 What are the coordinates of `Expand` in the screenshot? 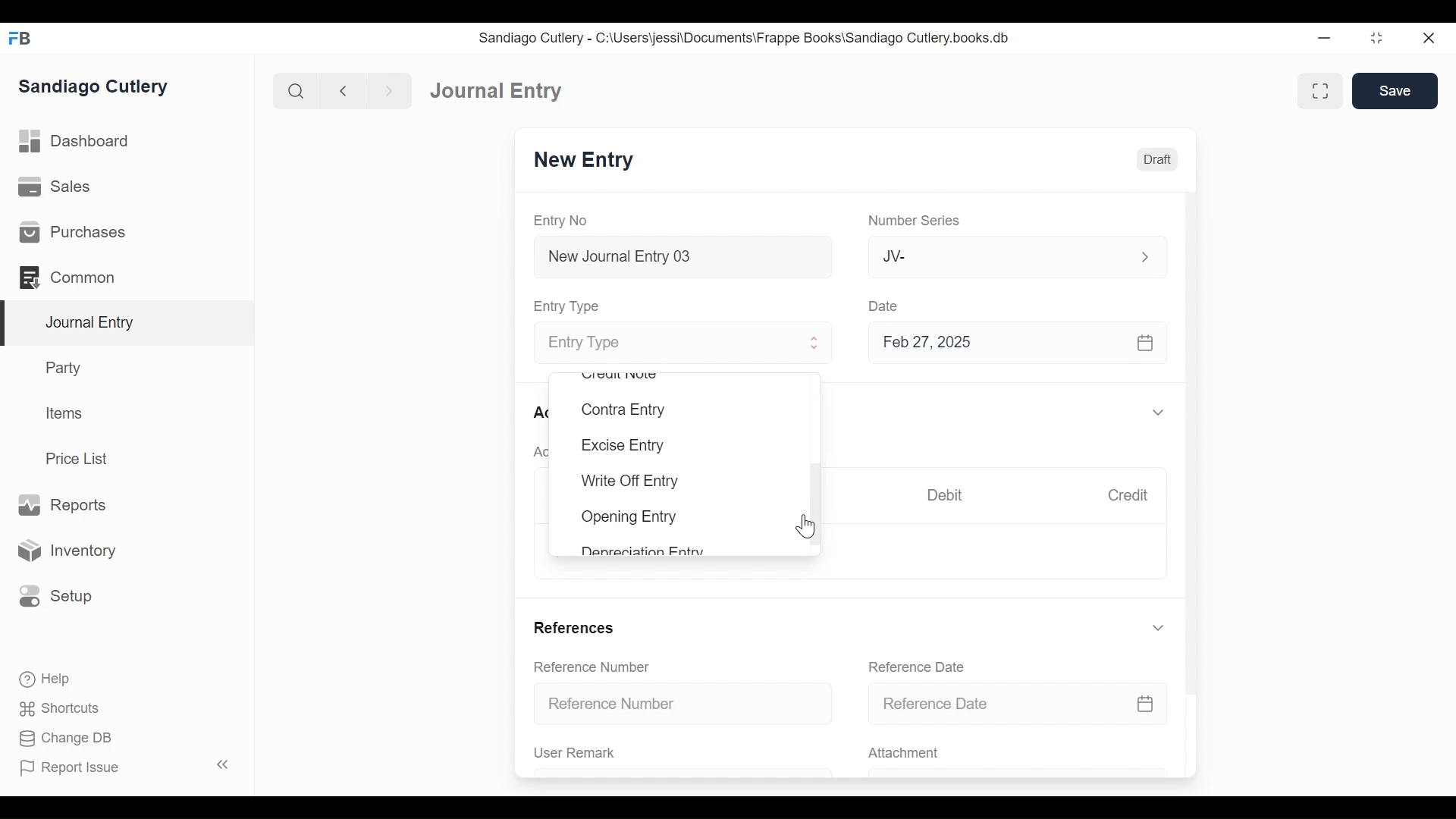 It's located at (1143, 256).